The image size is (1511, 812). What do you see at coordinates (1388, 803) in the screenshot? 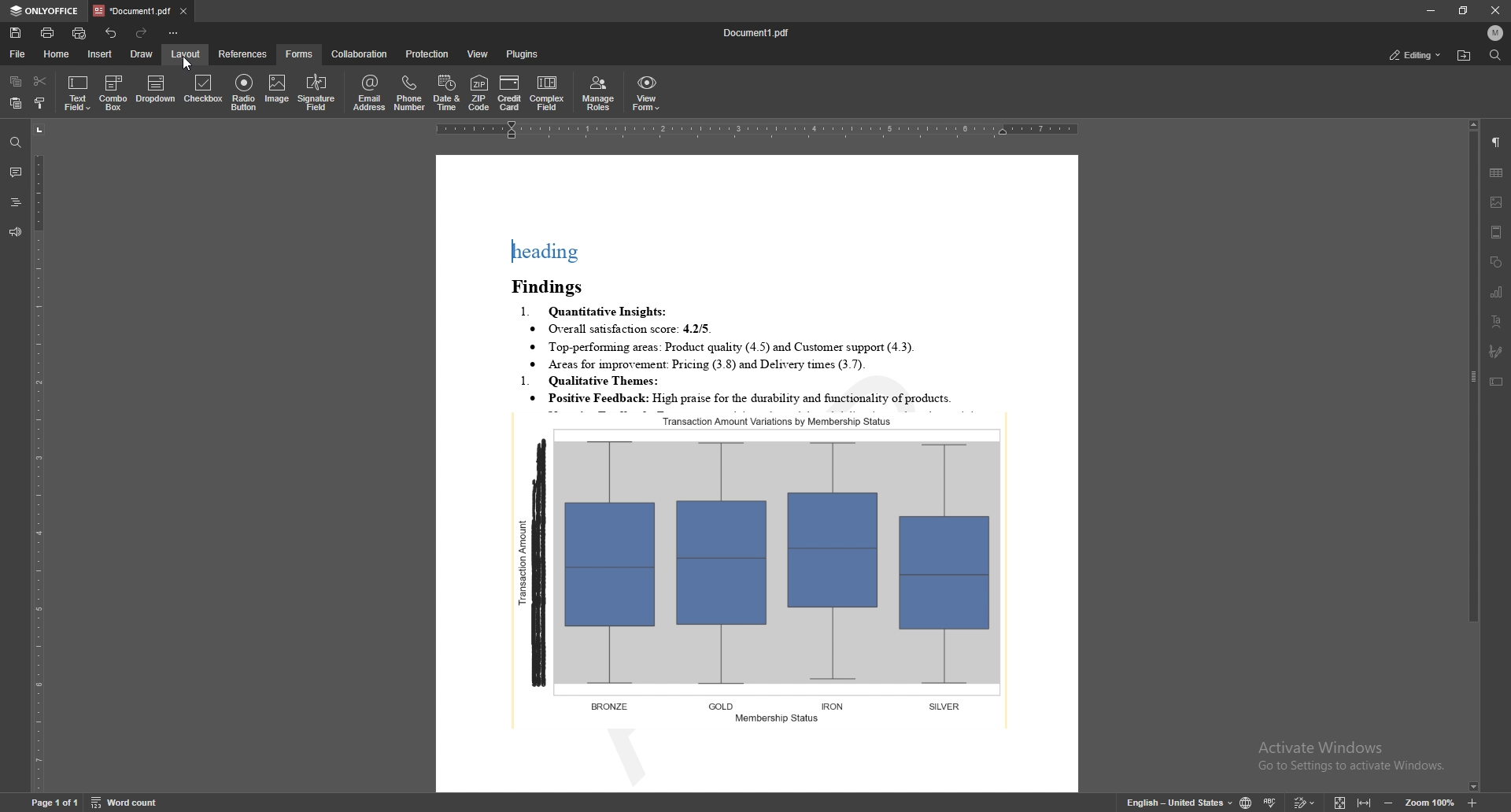
I see `zoom out` at bounding box center [1388, 803].